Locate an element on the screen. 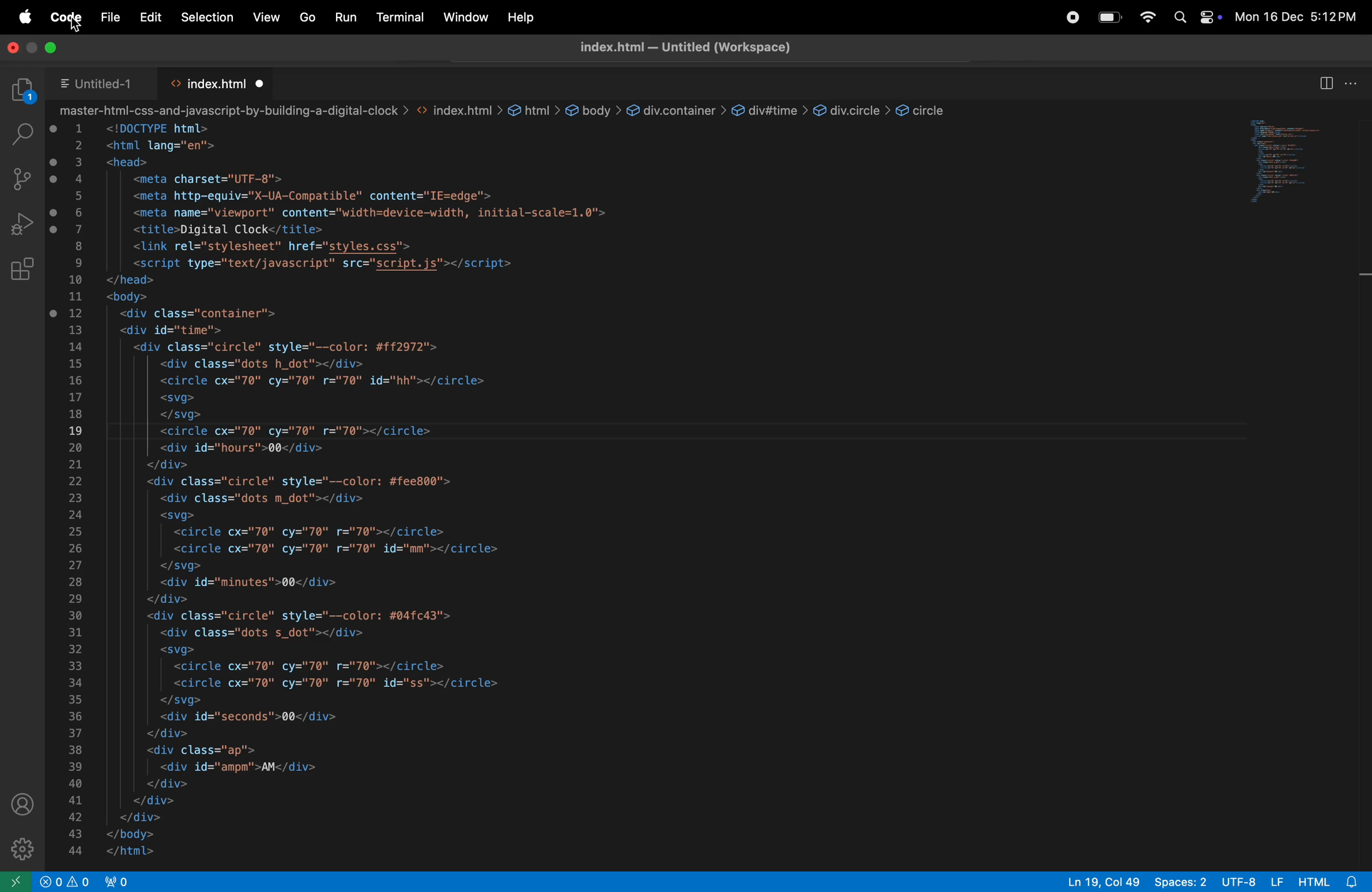  </svg> is located at coordinates (183, 566).